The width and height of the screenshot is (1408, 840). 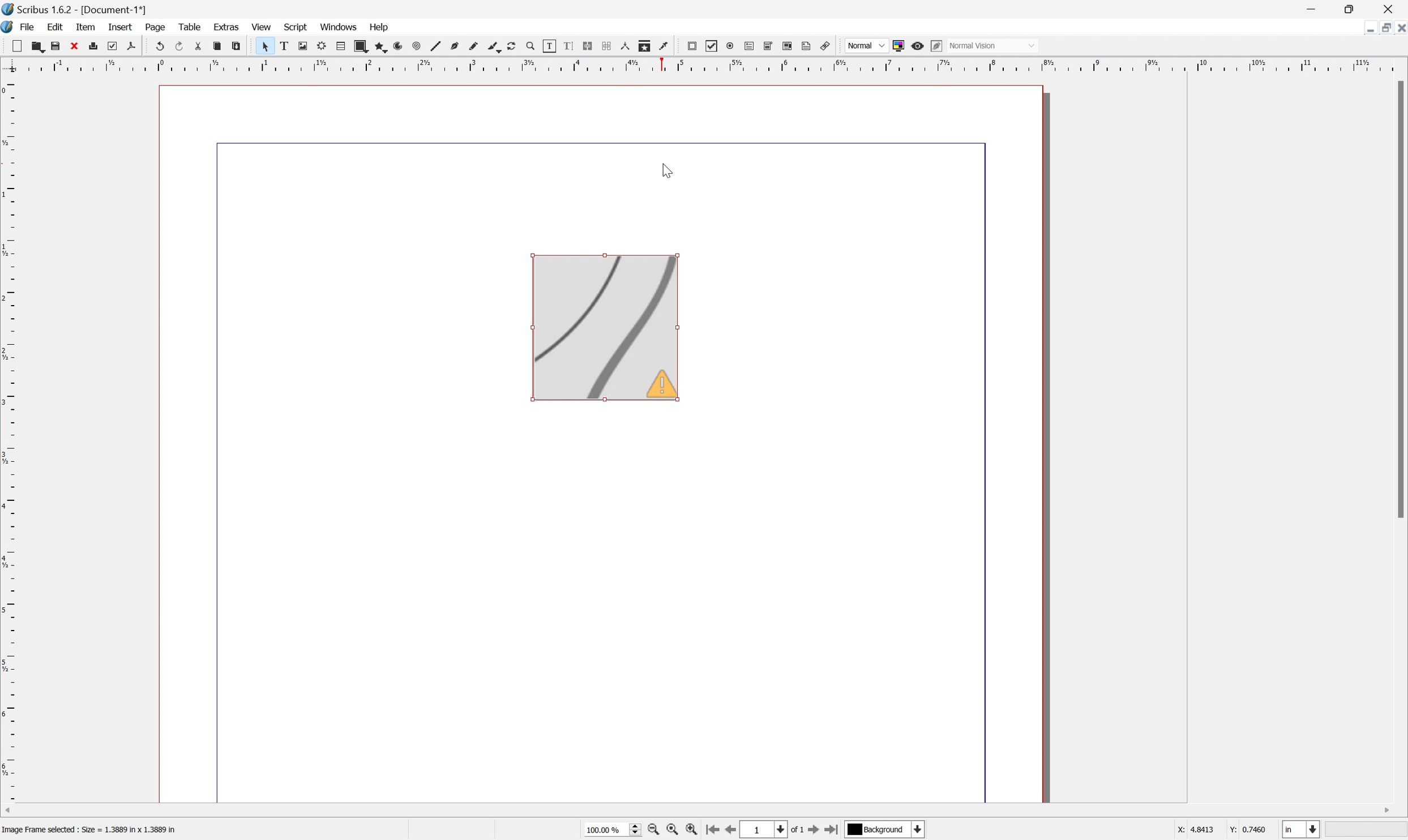 What do you see at coordinates (269, 47) in the screenshot?
I see `Select item` at bounding box center [269, 47].